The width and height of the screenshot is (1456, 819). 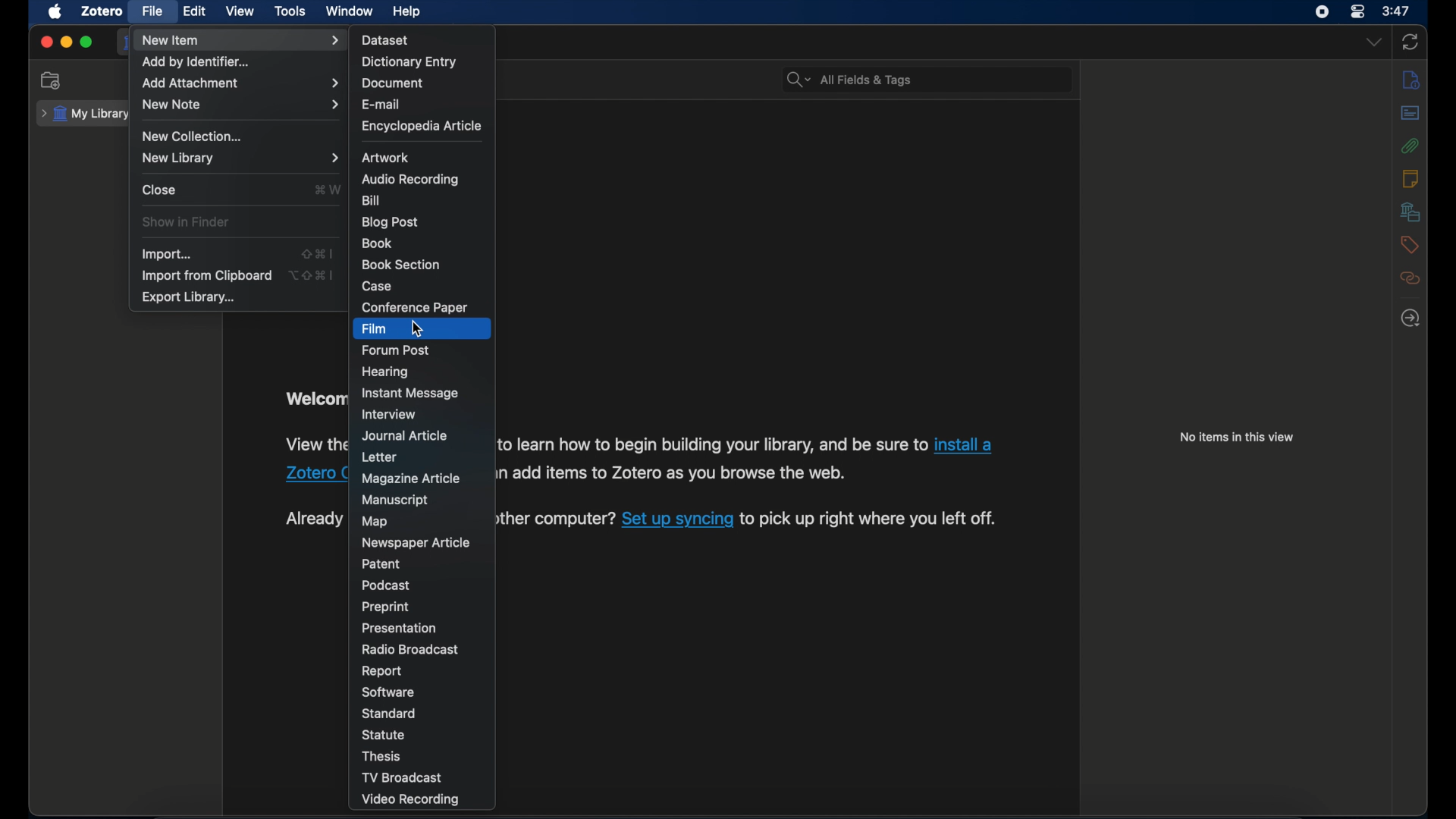 I want to click on import, so click(x=167, y=254).